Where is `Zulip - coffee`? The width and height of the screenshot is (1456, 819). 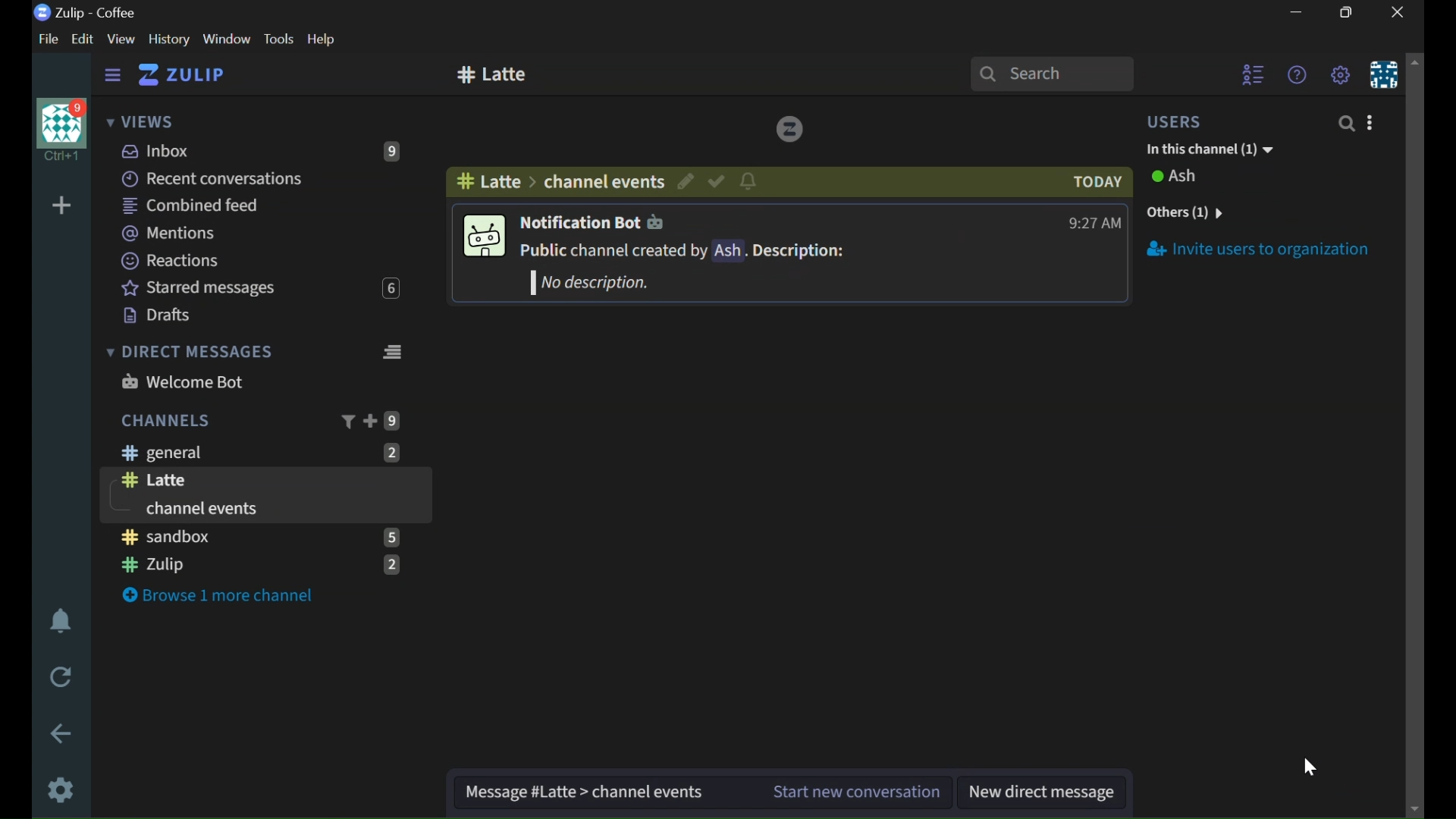
Zulip - coffee is located at coordinates (85, 13).